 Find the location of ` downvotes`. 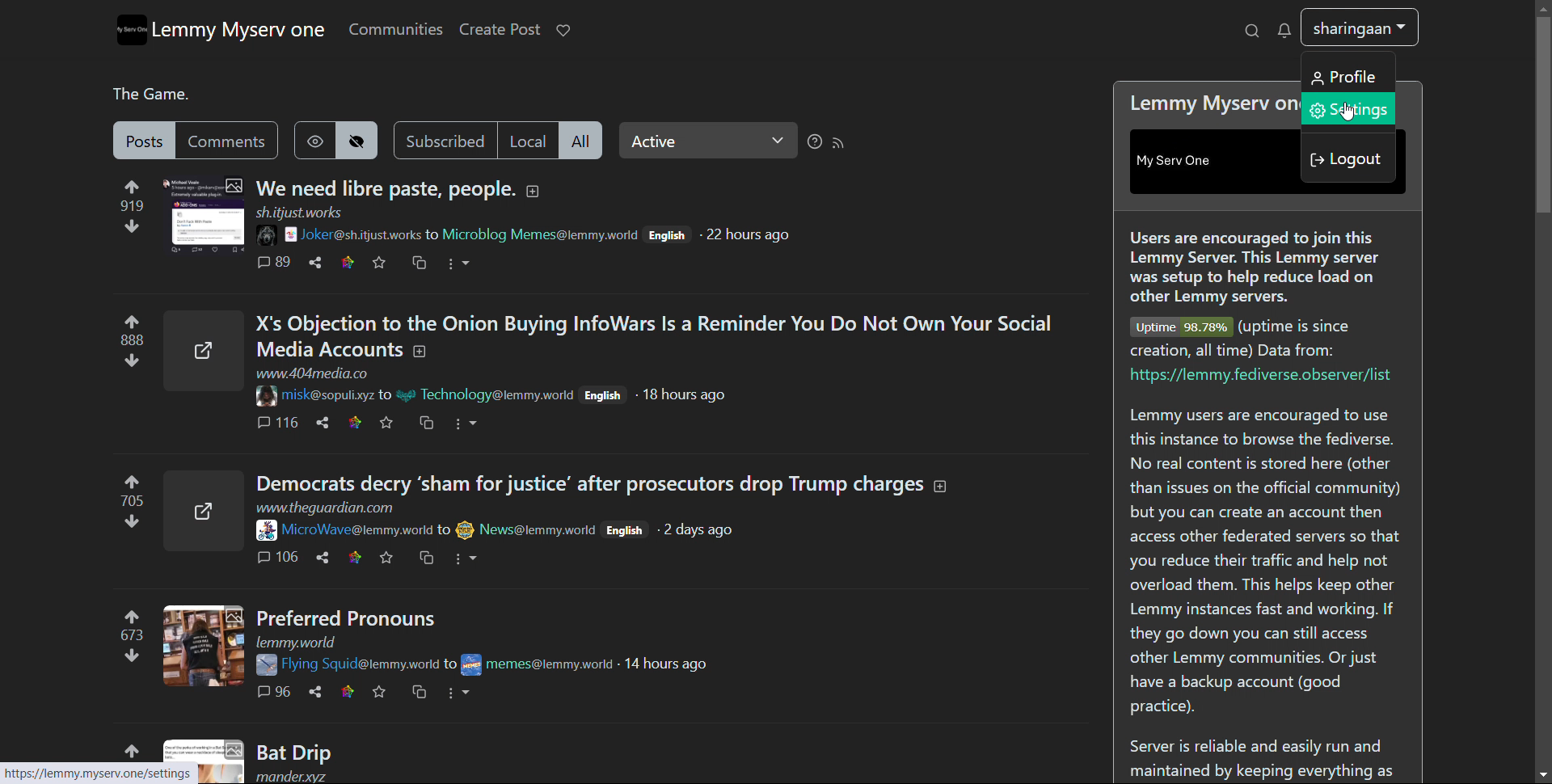

 downvotes is located at coordinates (131, 362).